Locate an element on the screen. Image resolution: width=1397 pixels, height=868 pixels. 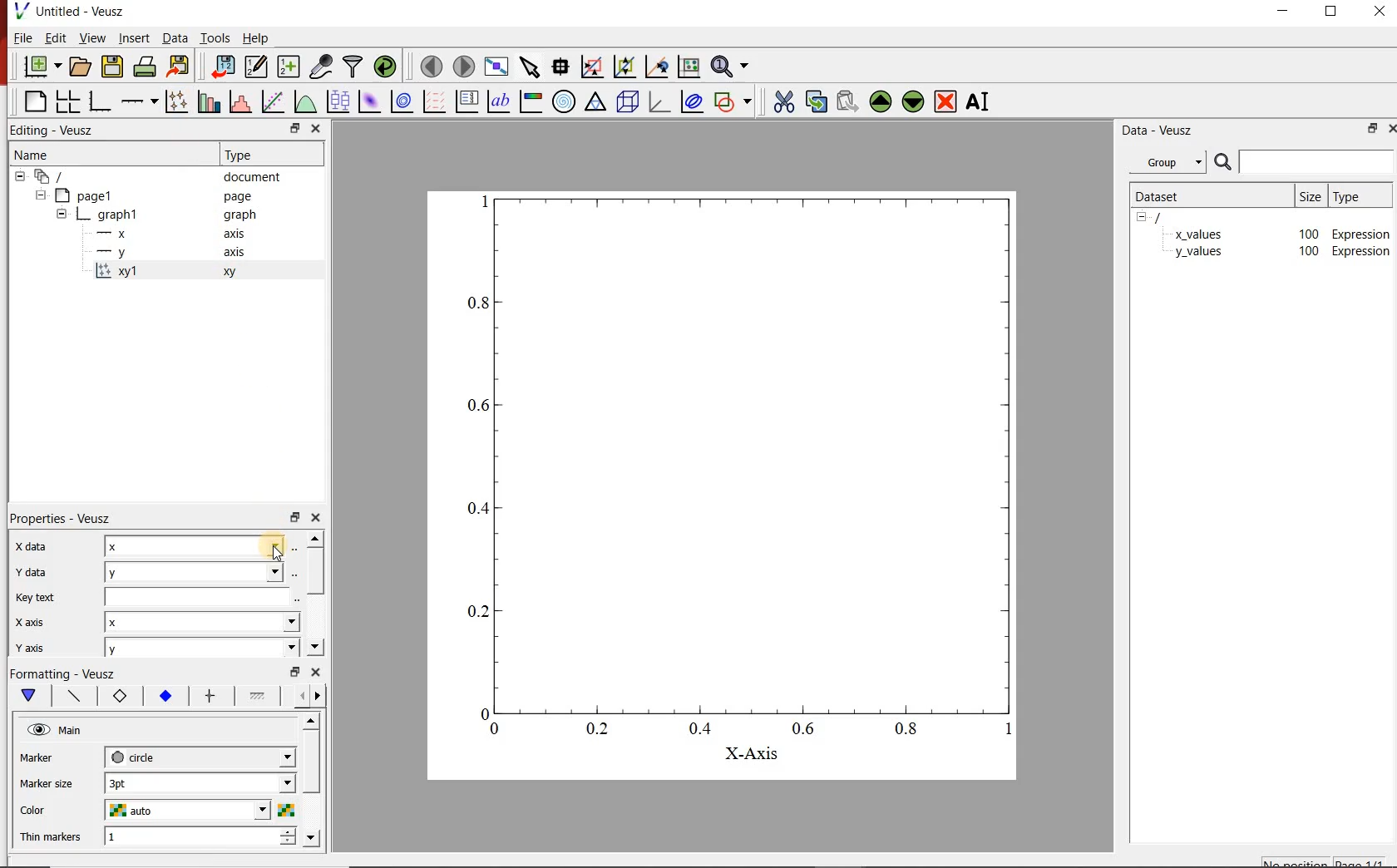
edit  is located at coordinates (57, 37).